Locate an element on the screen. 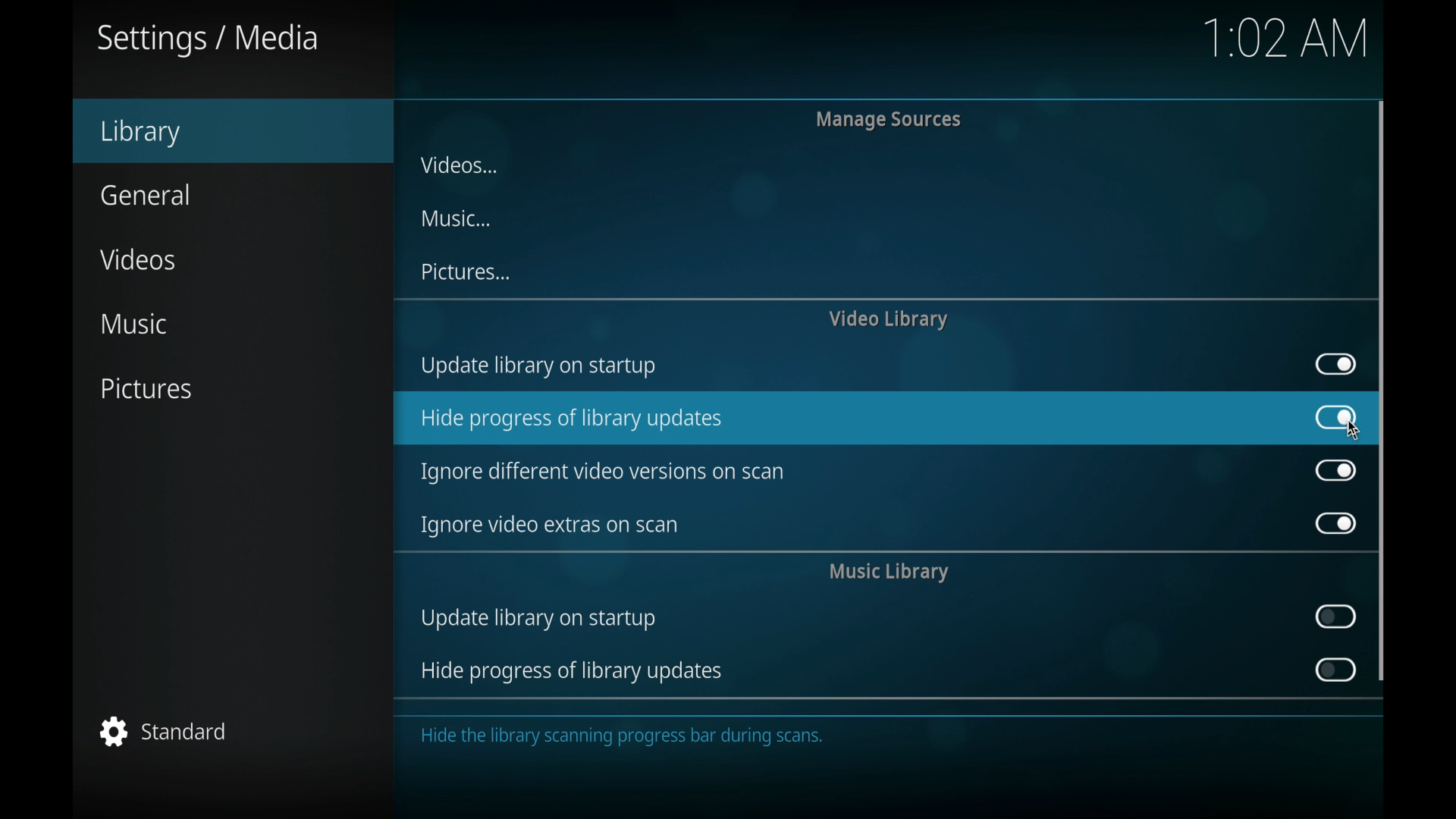 This screenshot has height=819, width=1456. library is located at coordinates (143, 133).